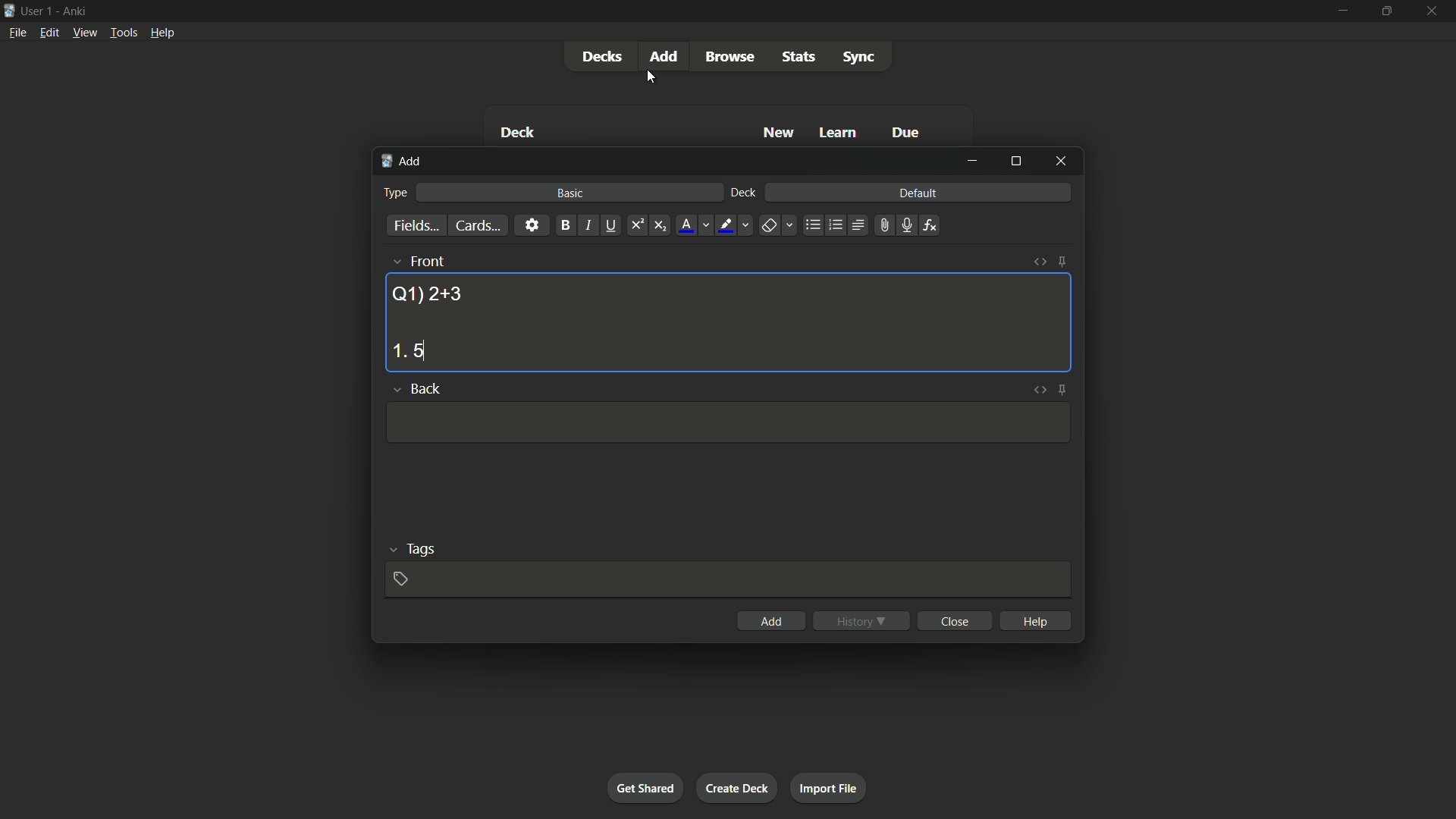 This screenshot has height=819, width=1456. What do you see at coordinates (736, 787) in the screenshot?
I see `create deck` at bounding box center [736, 787].